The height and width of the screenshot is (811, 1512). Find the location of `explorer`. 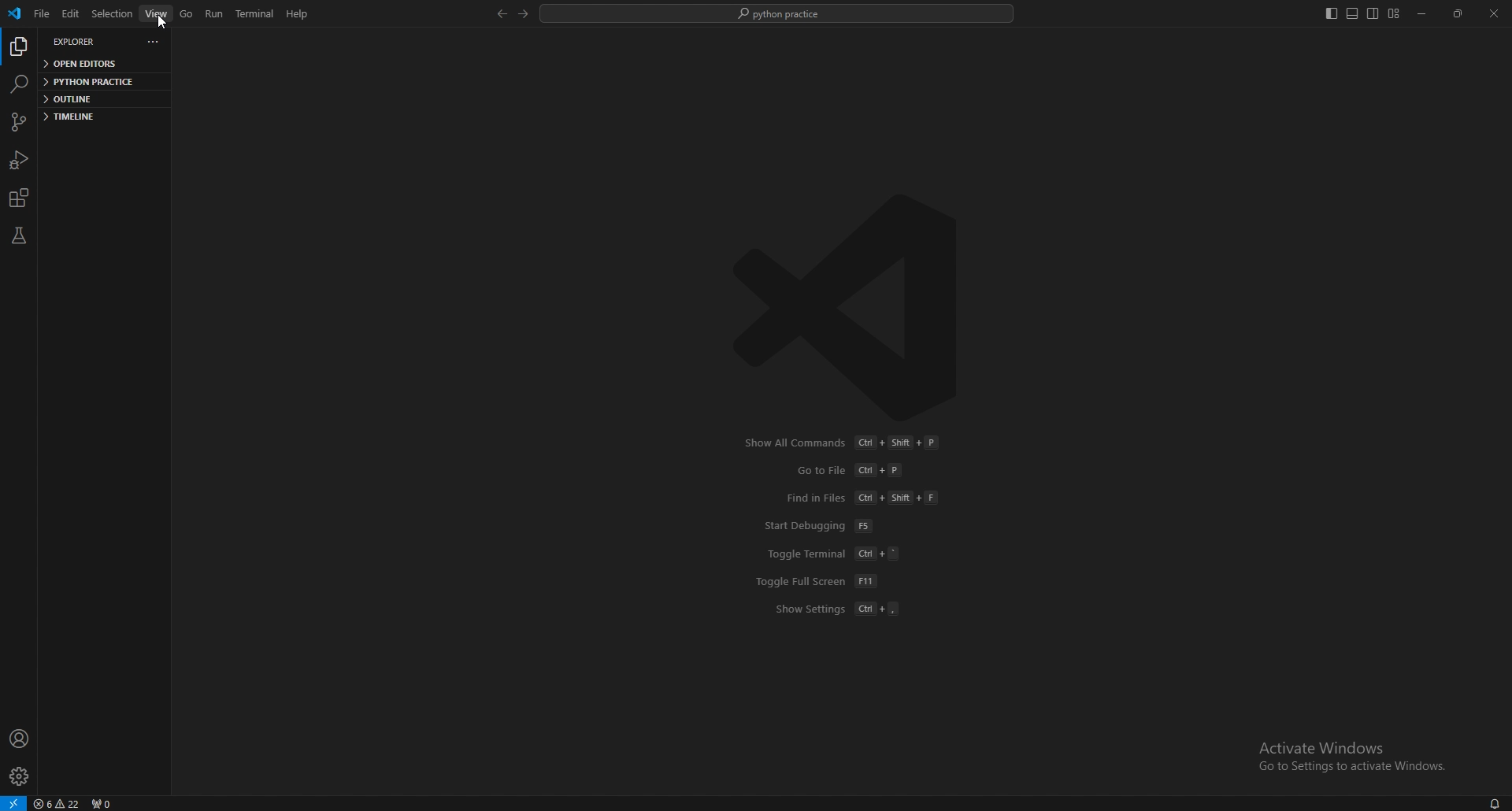

explorer is located at coordinates (17, 48).